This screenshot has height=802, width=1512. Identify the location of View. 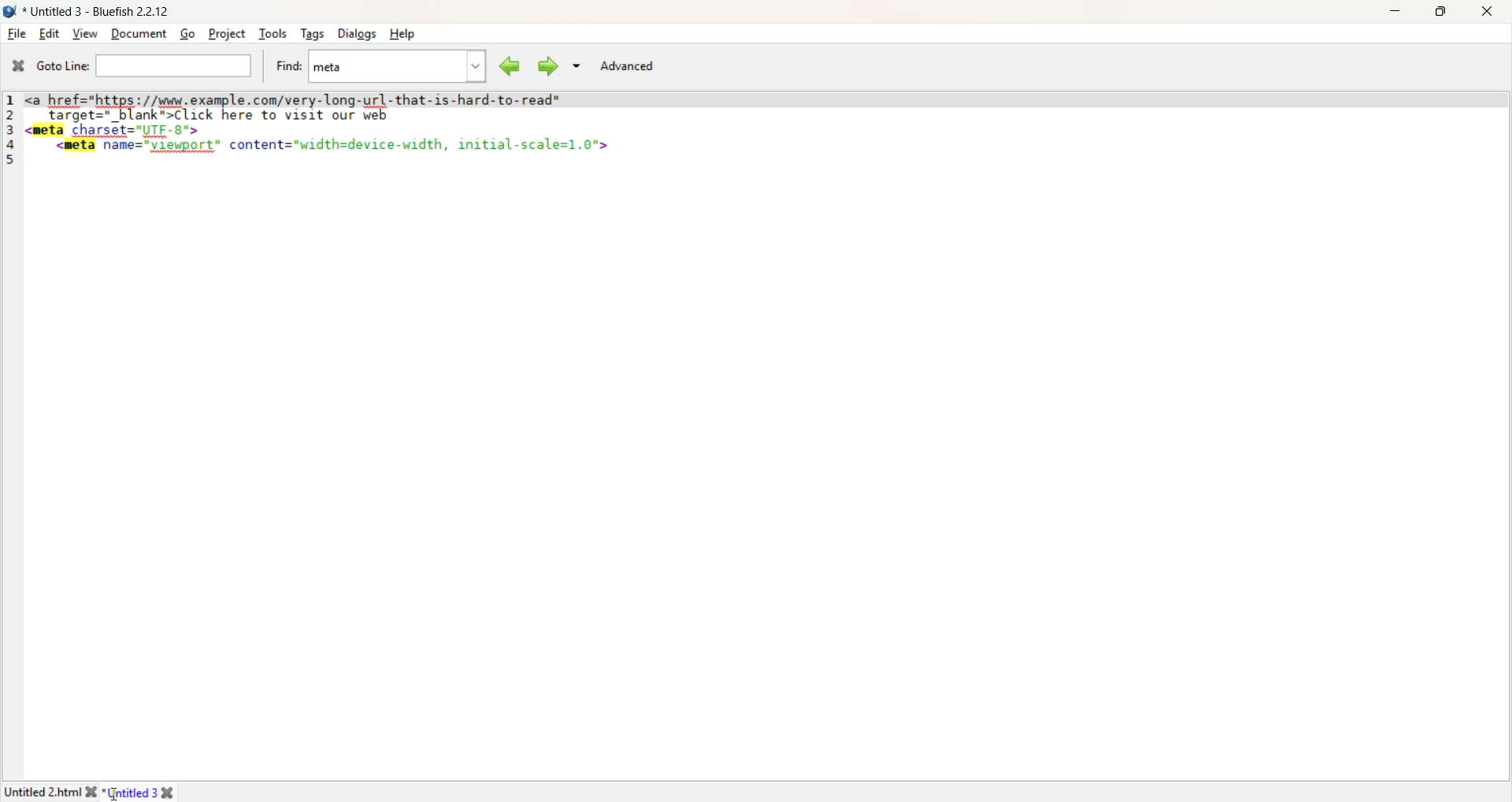
(83, 34).